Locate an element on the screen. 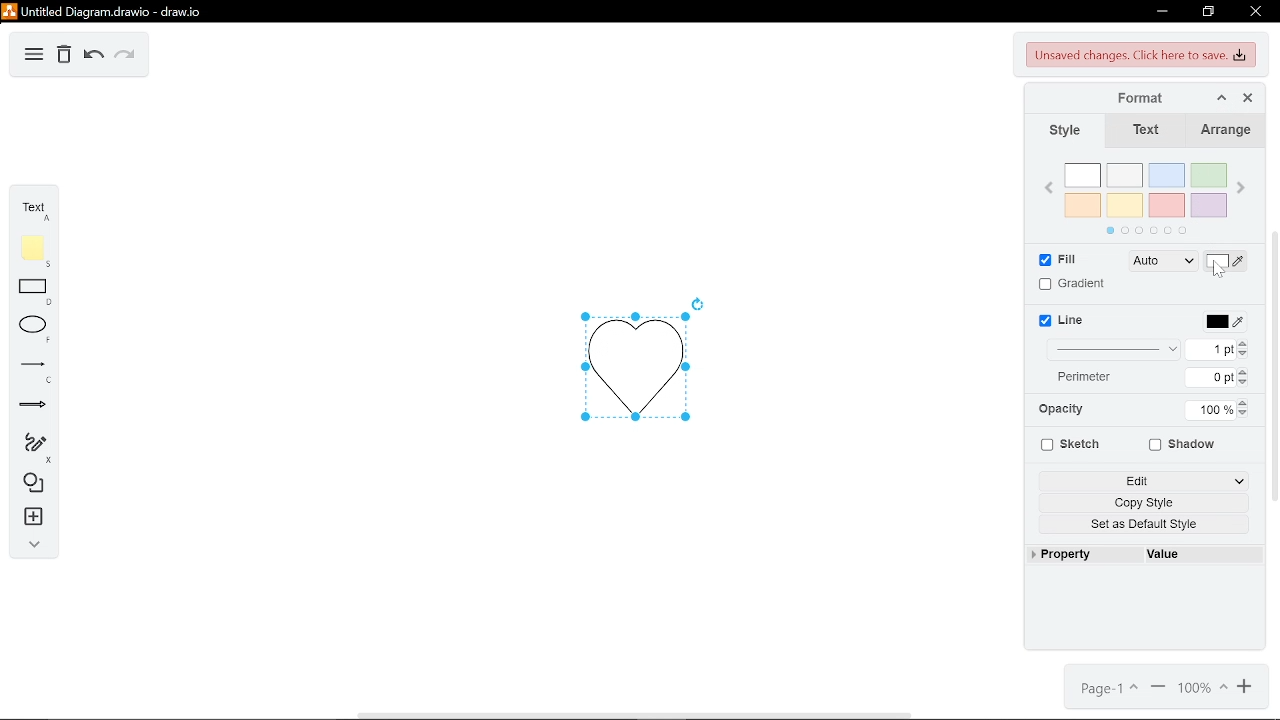  close is located at coordinates (1256, 11).